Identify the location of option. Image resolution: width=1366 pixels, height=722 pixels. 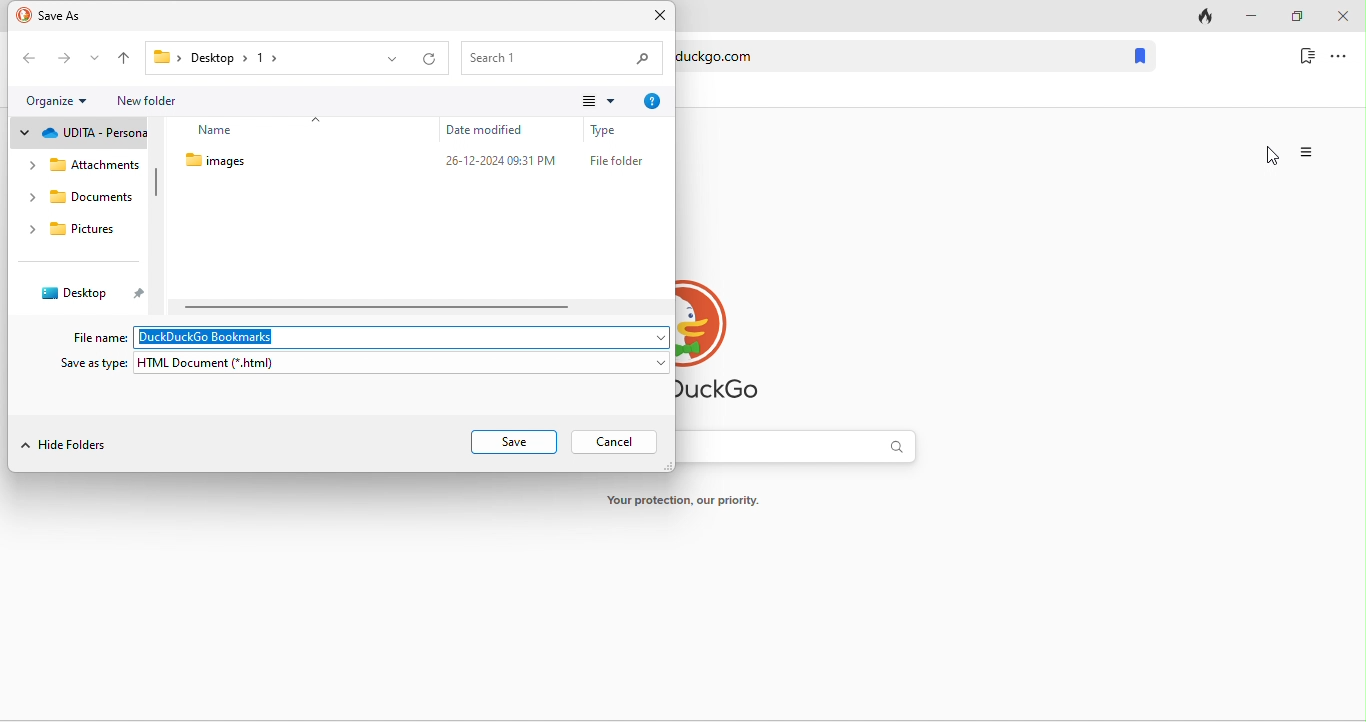
(1308, 153).